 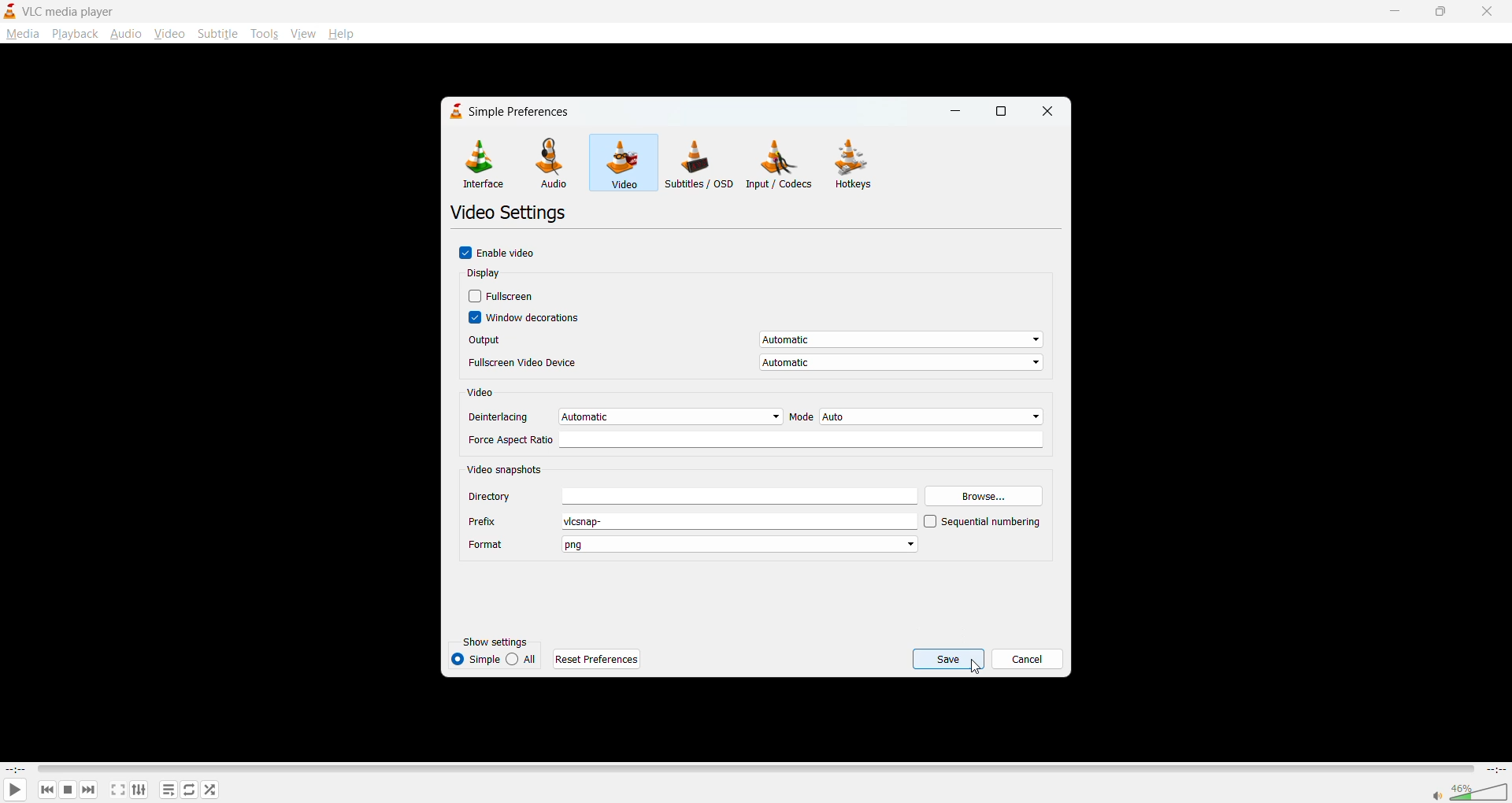 What do you see at coordinates (621, 161) in the screenshot?
I see `videos` at bounding box center [621, 161].